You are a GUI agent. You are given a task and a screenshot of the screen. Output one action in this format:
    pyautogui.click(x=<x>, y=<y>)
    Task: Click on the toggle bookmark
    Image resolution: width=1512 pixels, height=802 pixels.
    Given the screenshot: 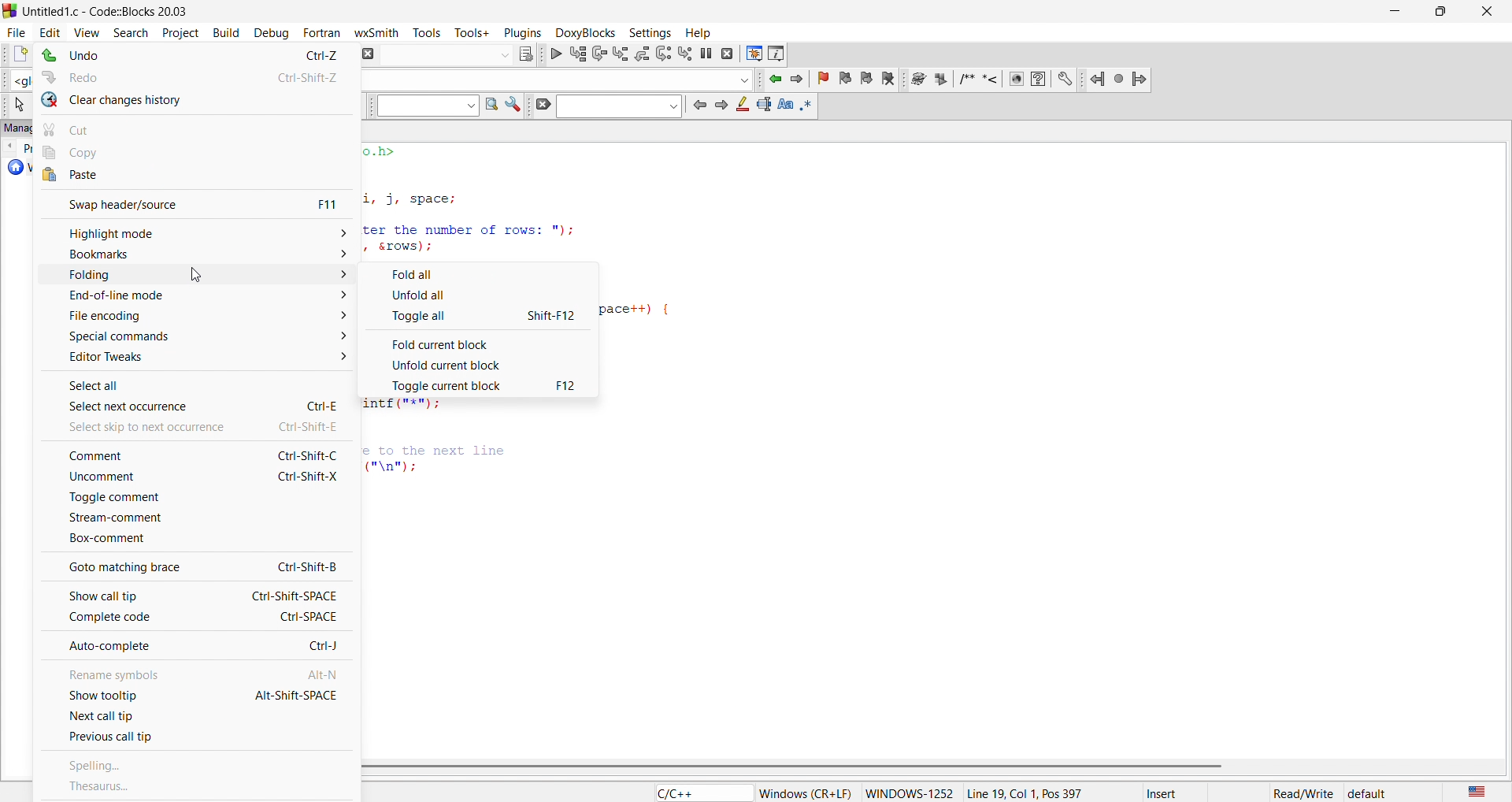 What is the action you would take?
    pyautogui.click(x=826, y=79)
    